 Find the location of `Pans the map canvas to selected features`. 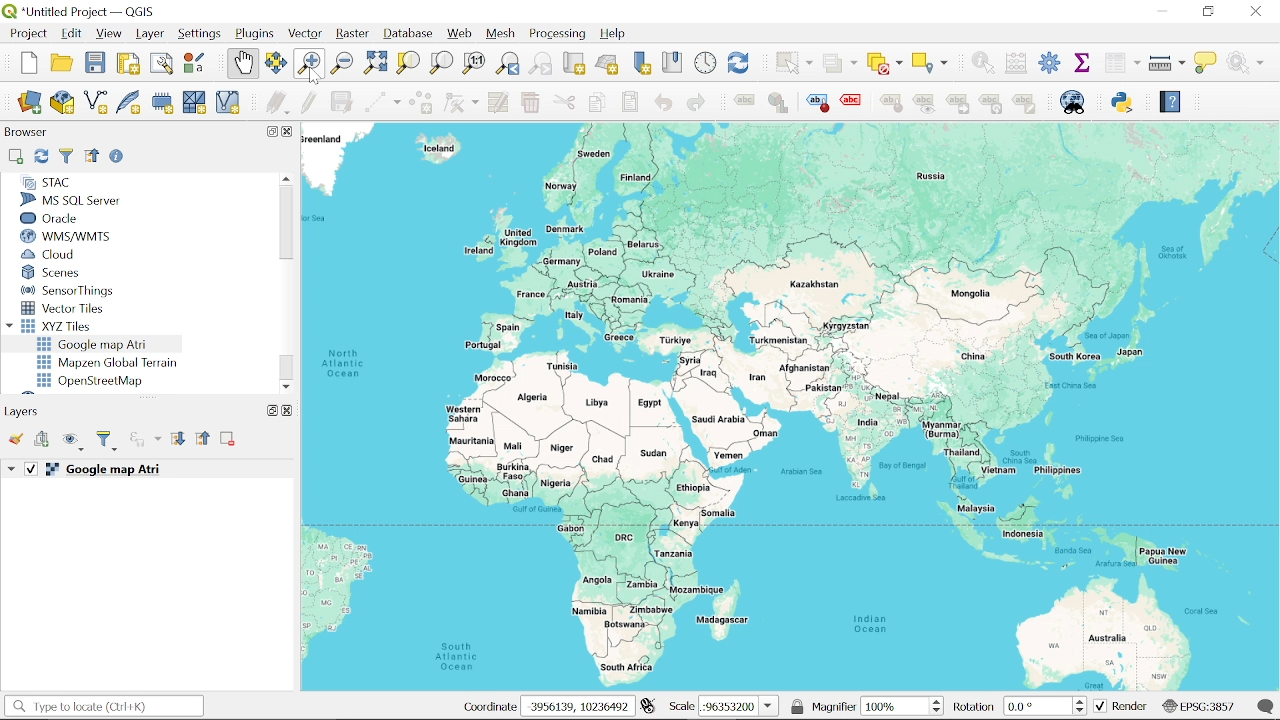

Pans the map canvas to selected features is located at coordinates (276, 64).